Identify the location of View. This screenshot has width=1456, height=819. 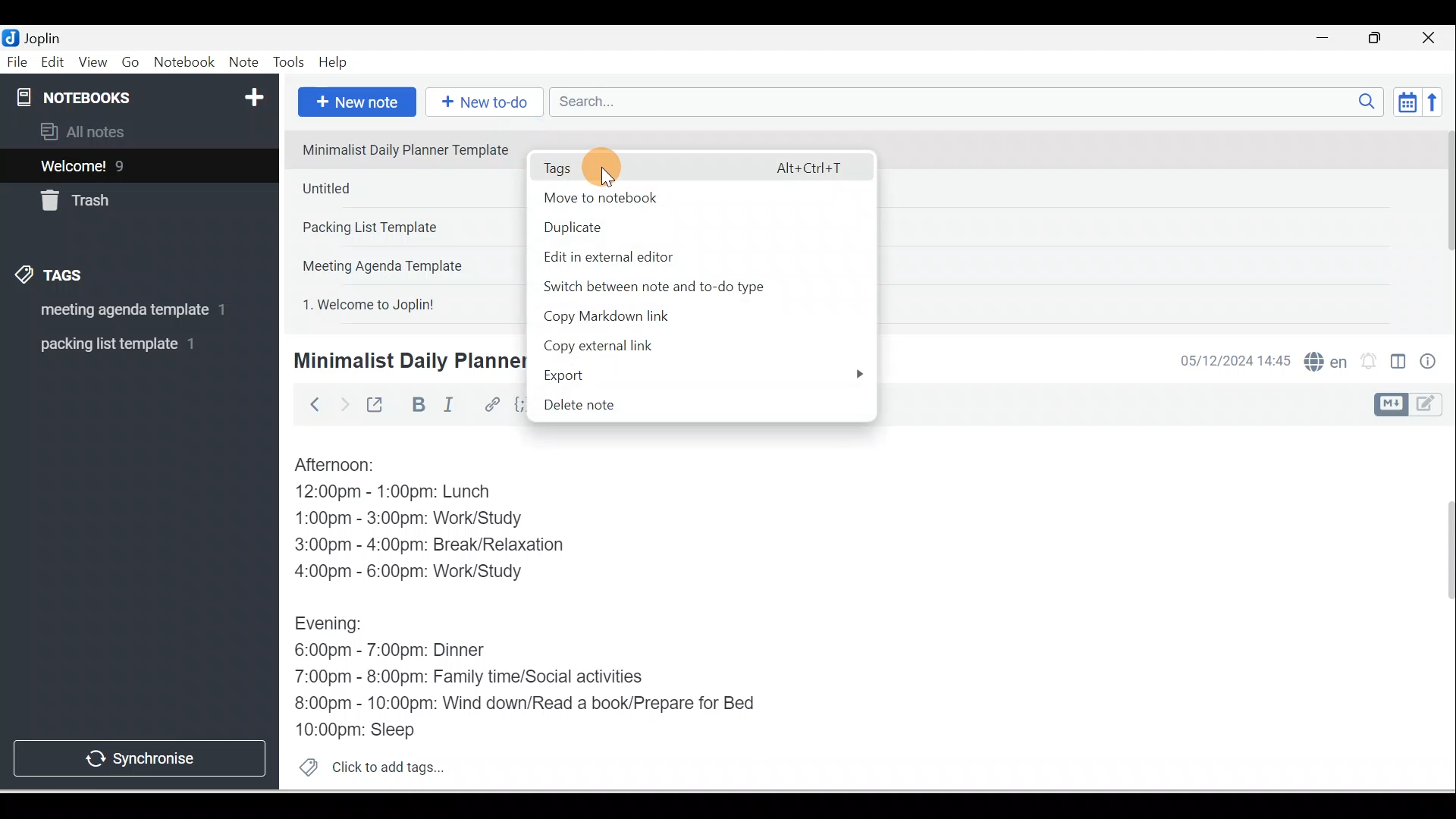
(93, 63).